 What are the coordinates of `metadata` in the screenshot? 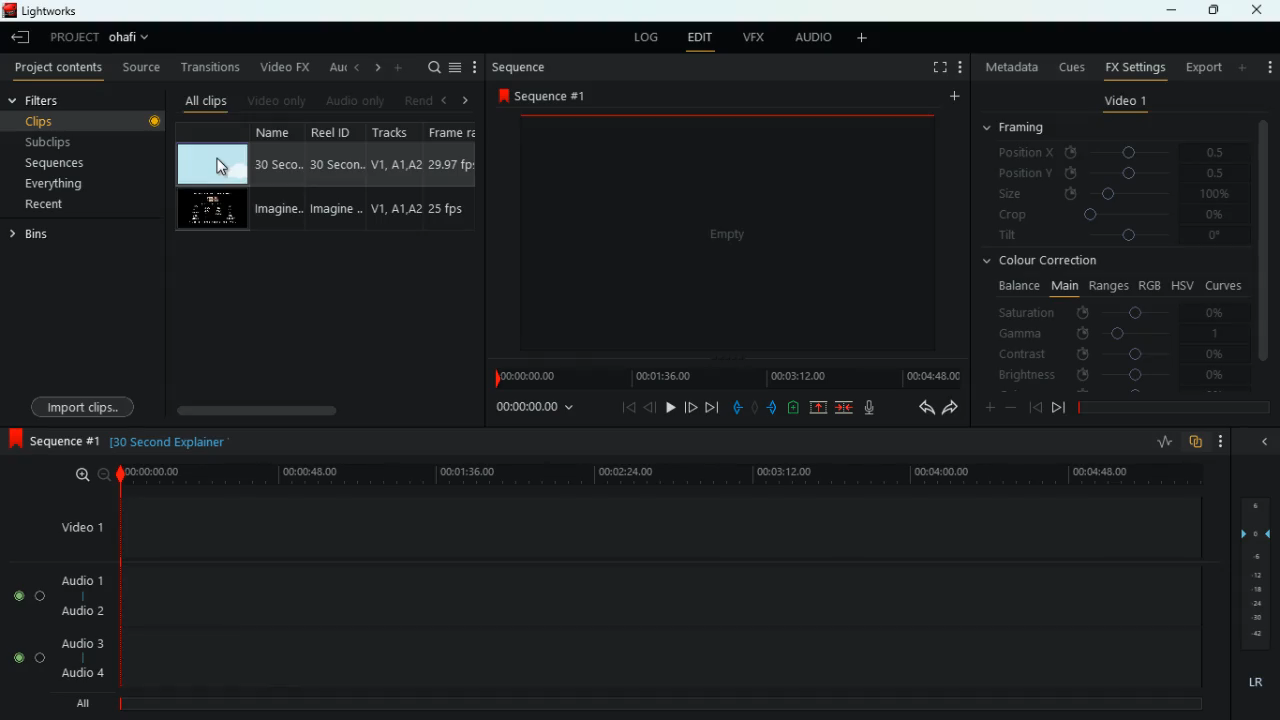 It's located at (1008, 66).